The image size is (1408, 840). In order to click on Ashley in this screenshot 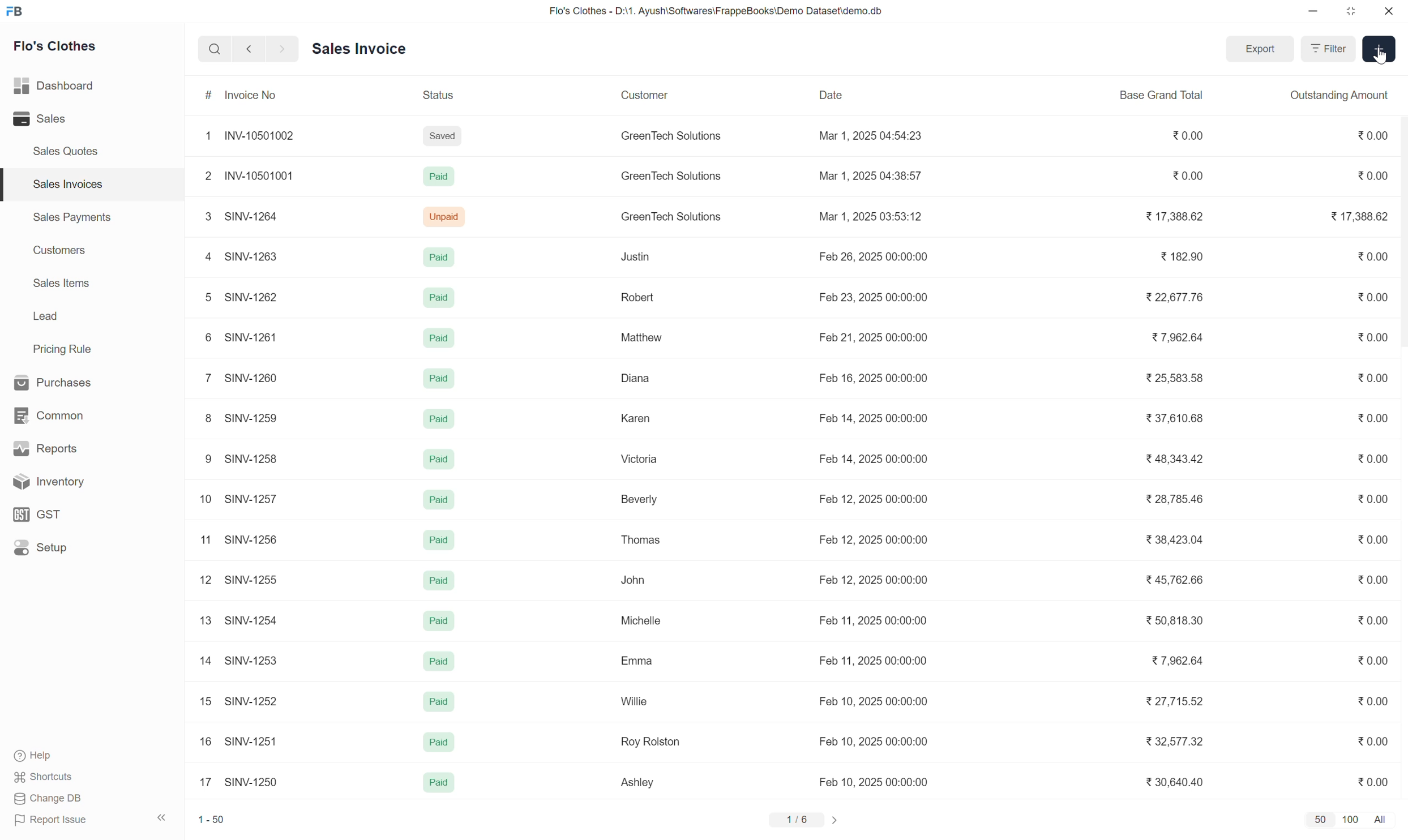, I will do `click(637, 783)`.